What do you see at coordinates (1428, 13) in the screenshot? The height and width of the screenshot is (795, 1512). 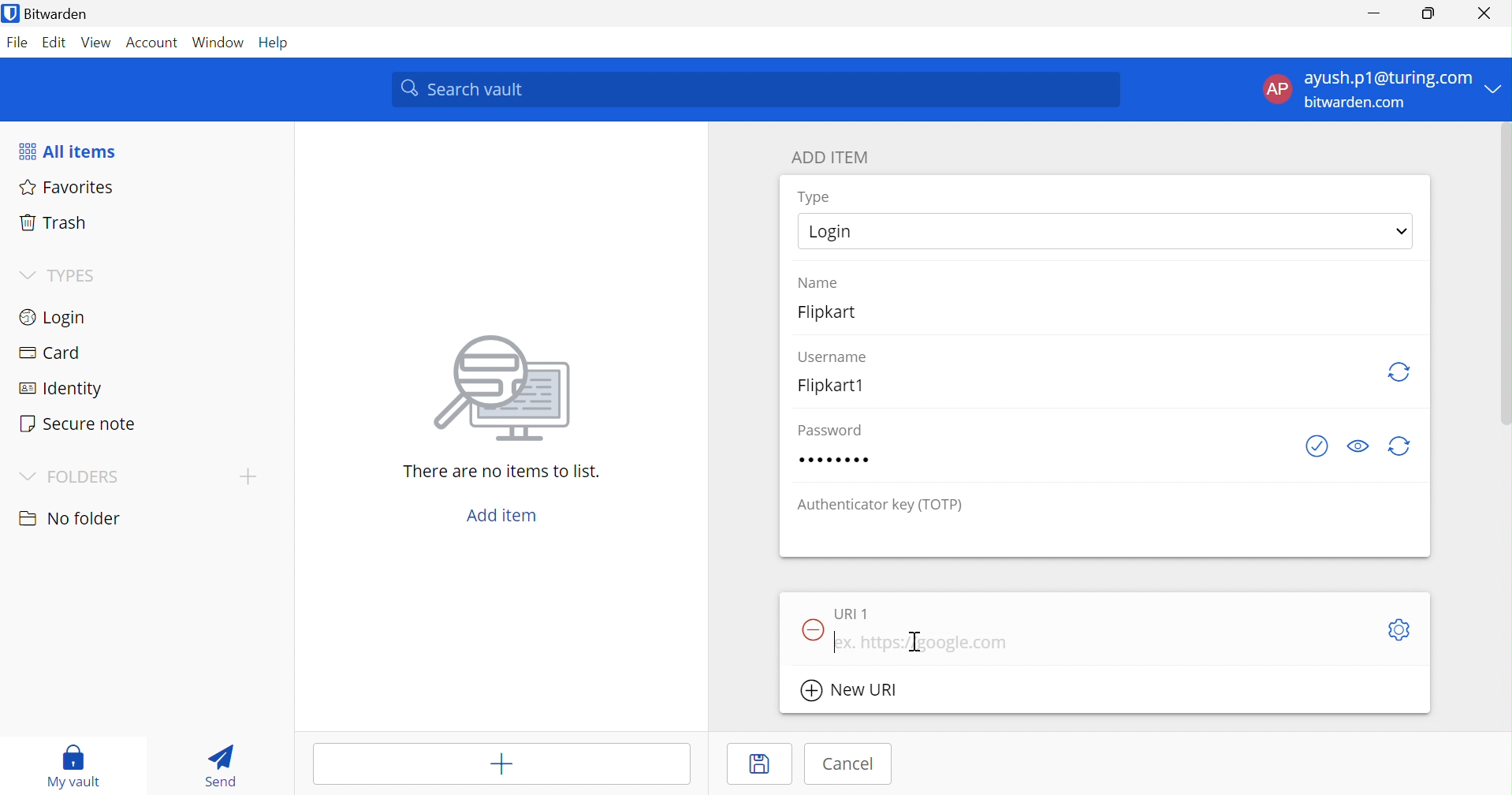 I see `Restore Down` at bounding box center [1428, 13].